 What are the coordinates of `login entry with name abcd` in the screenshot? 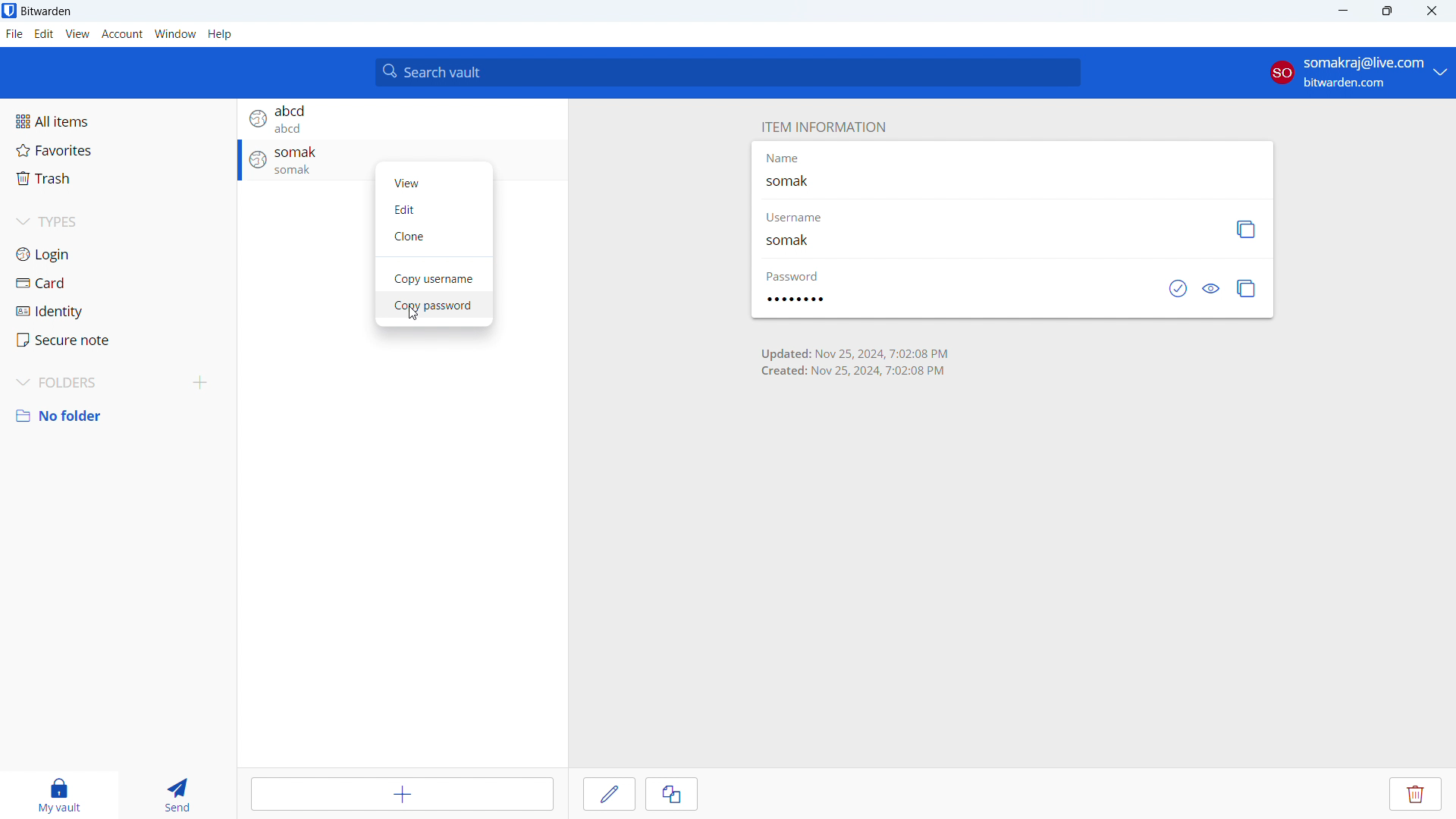 It's located at (402, 118).